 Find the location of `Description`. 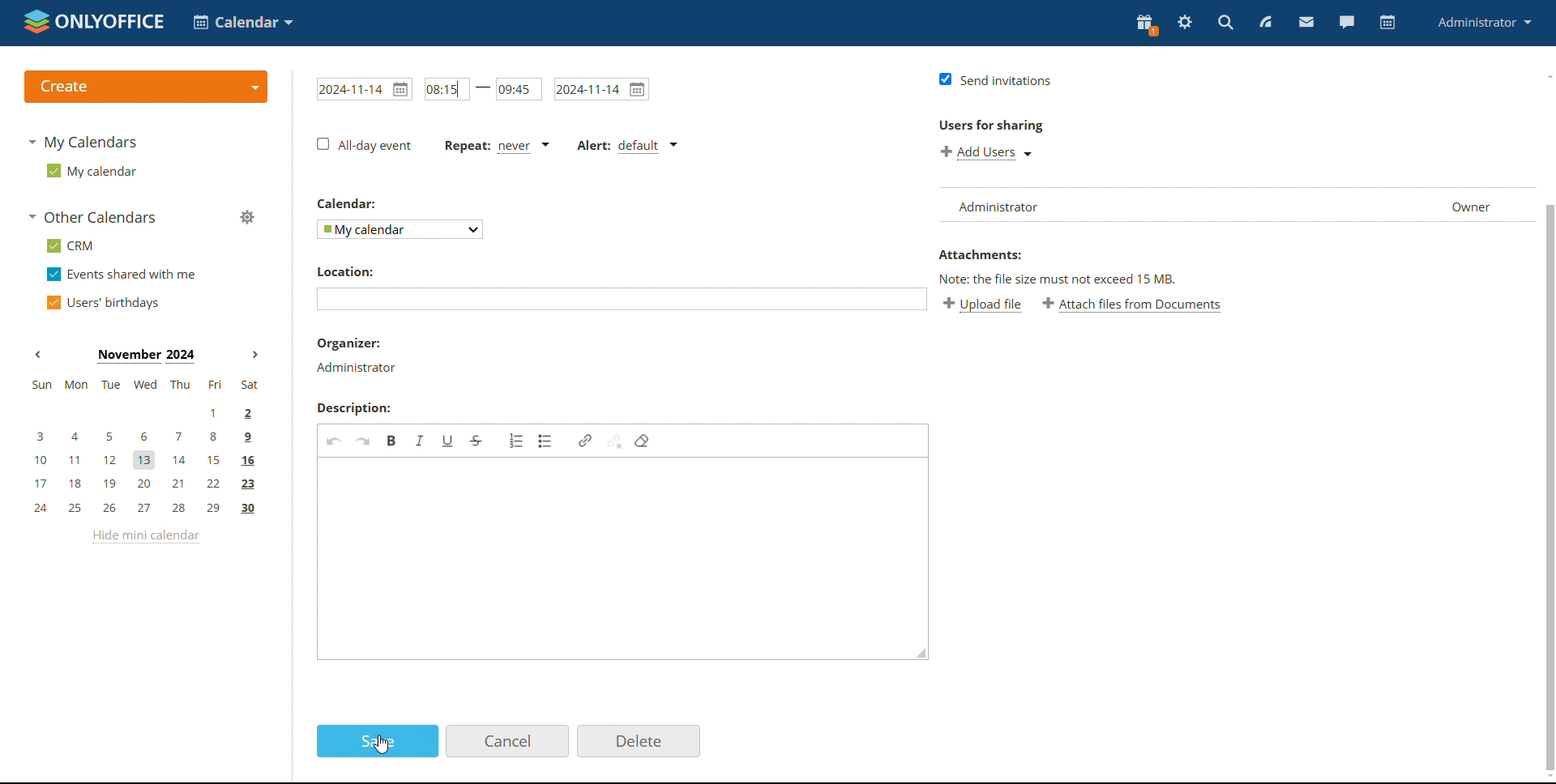

Description is located at coordinates (354, 408).